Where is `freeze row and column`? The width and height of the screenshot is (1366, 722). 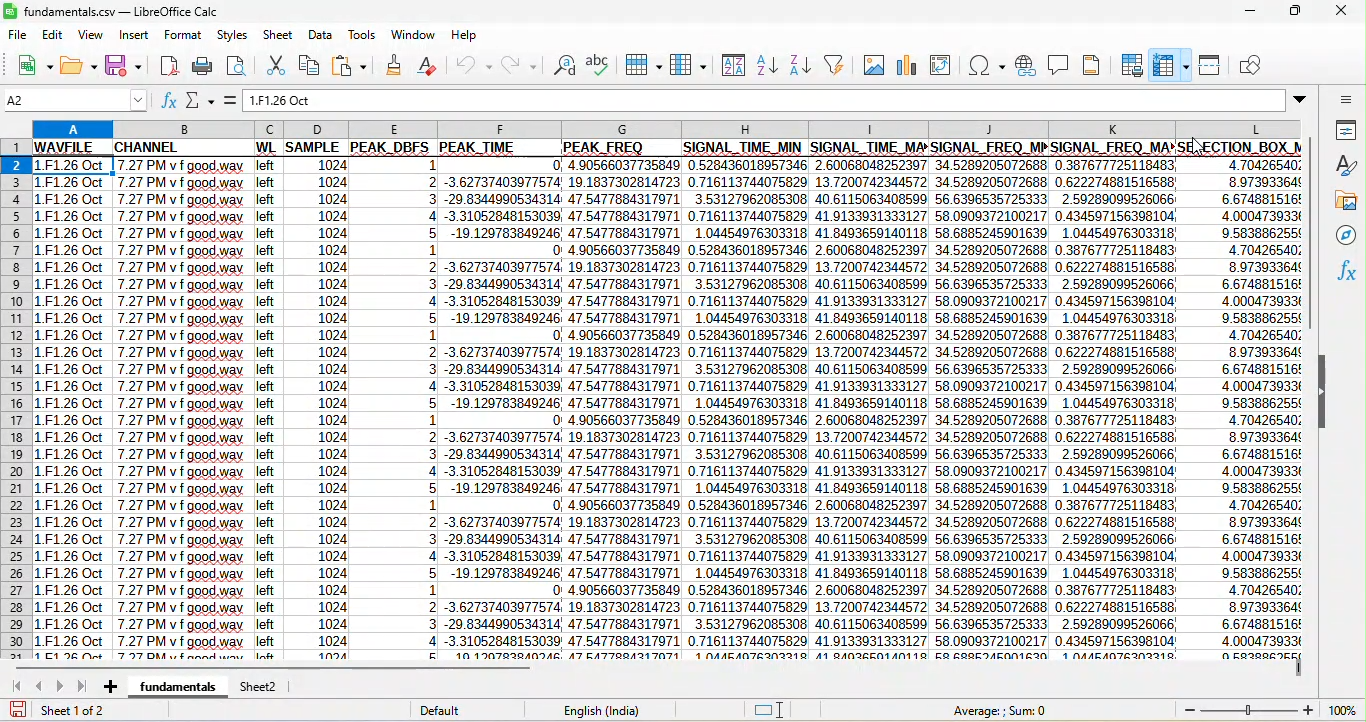
freeze row and column is located at coordinates (1173, 62).